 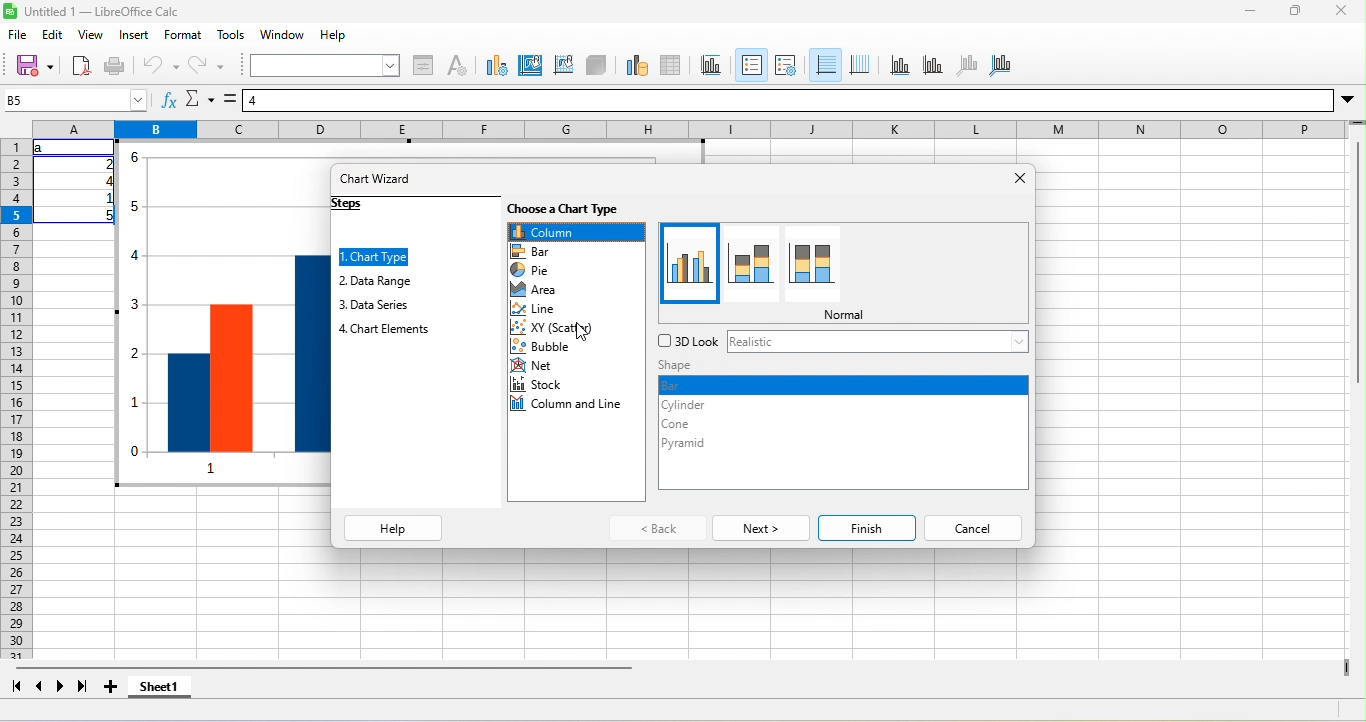 What do you see at coordinates (18, 35) in the screenshot?
I see `file` at bounding box center [18, 35].